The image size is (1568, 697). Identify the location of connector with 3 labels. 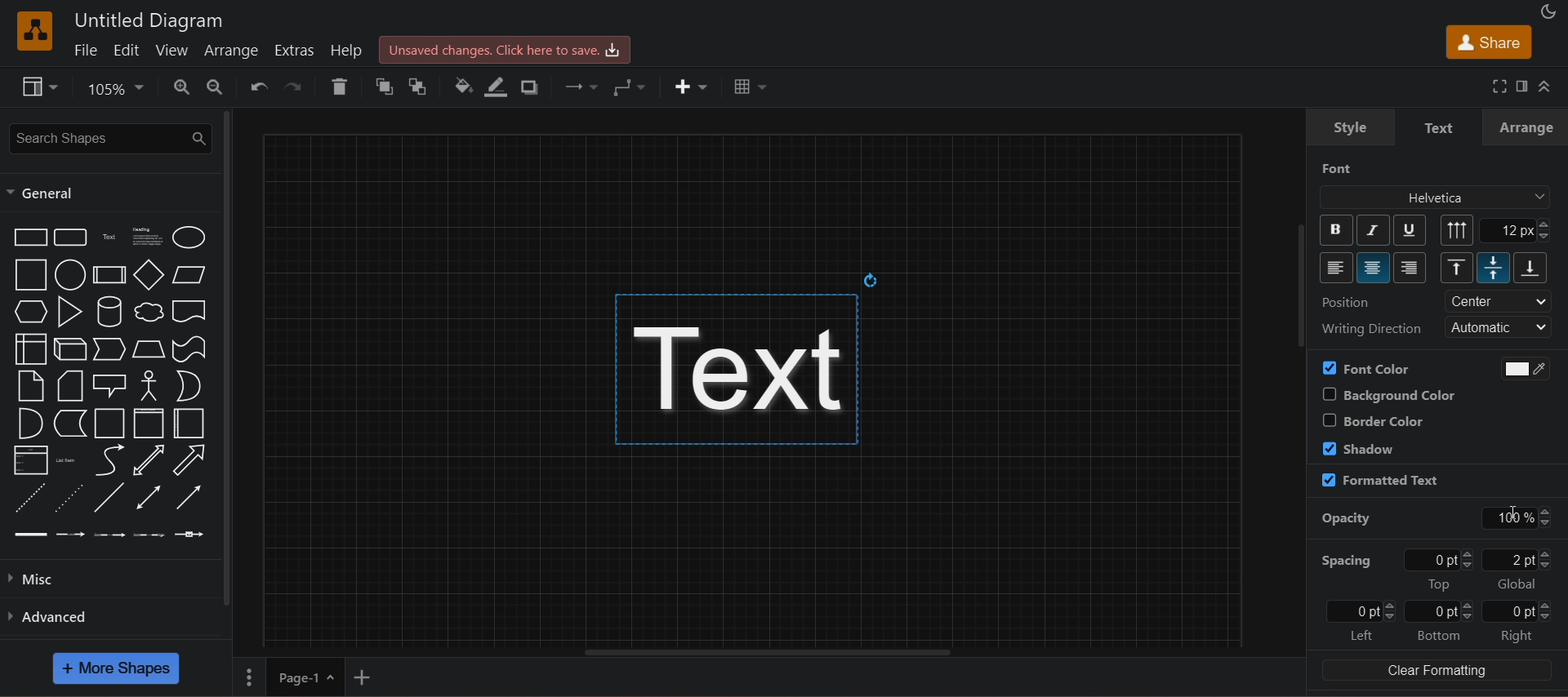
(150, 535).